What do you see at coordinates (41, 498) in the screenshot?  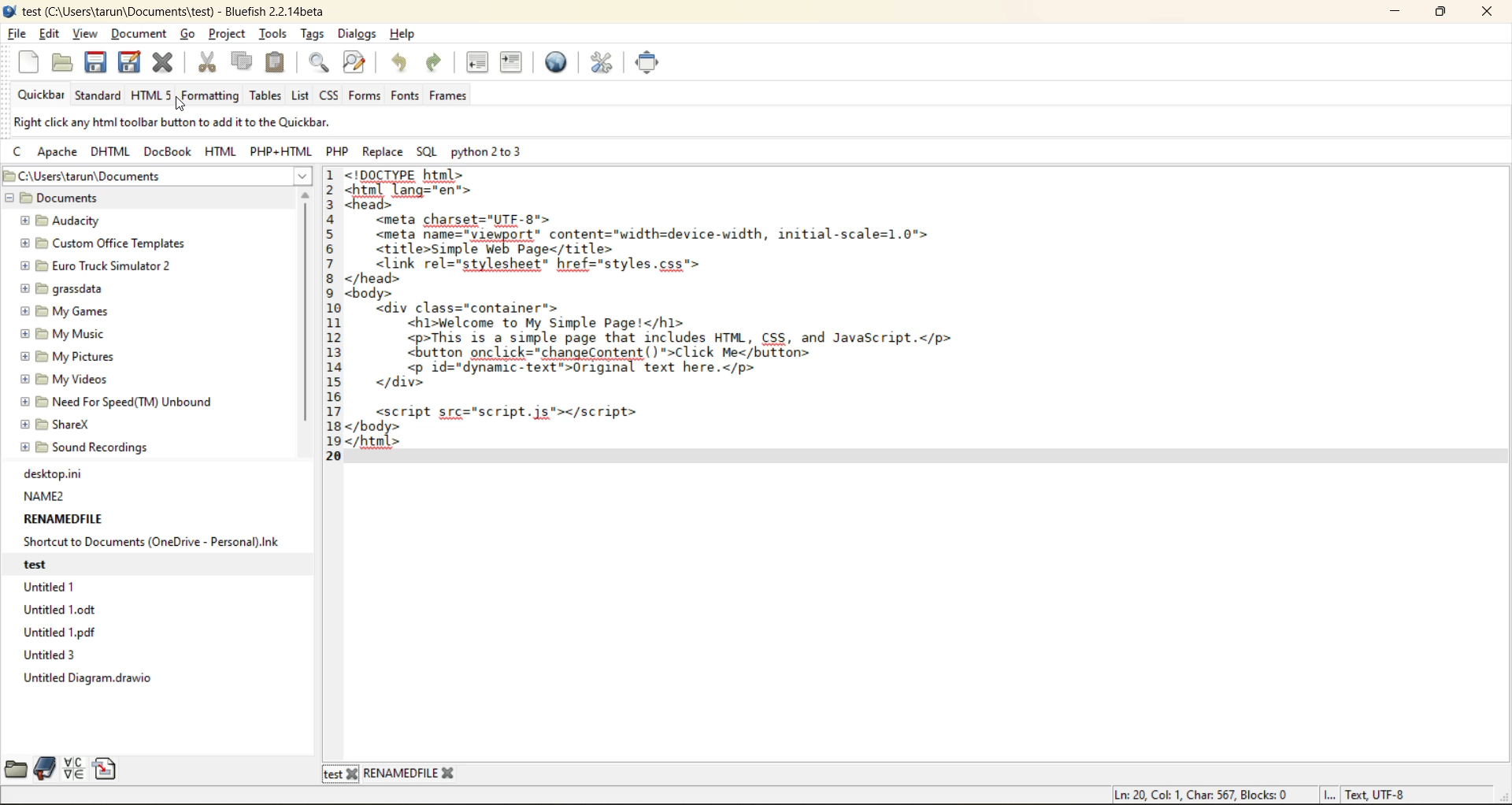 I see `NAME2` at bounding box center [41, 498].